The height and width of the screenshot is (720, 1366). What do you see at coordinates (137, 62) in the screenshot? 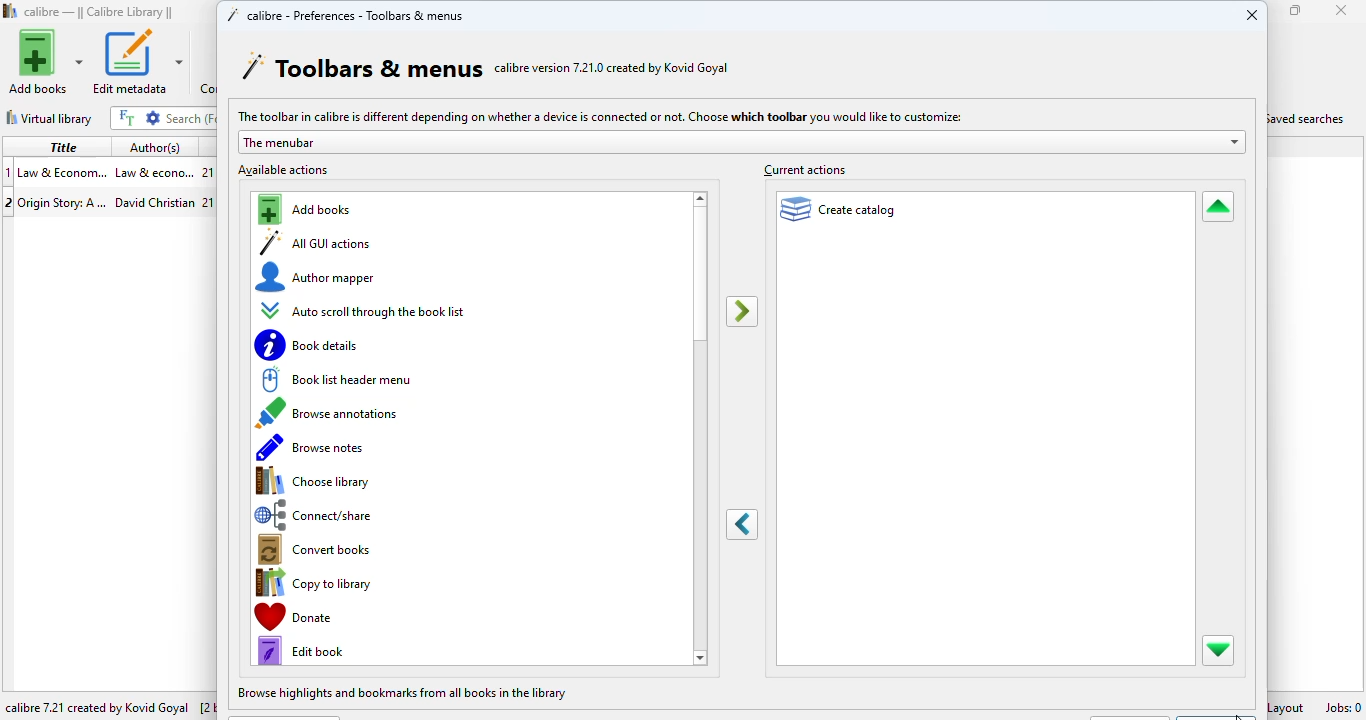
I see `edit metadata` at bounding box center [137, 62].